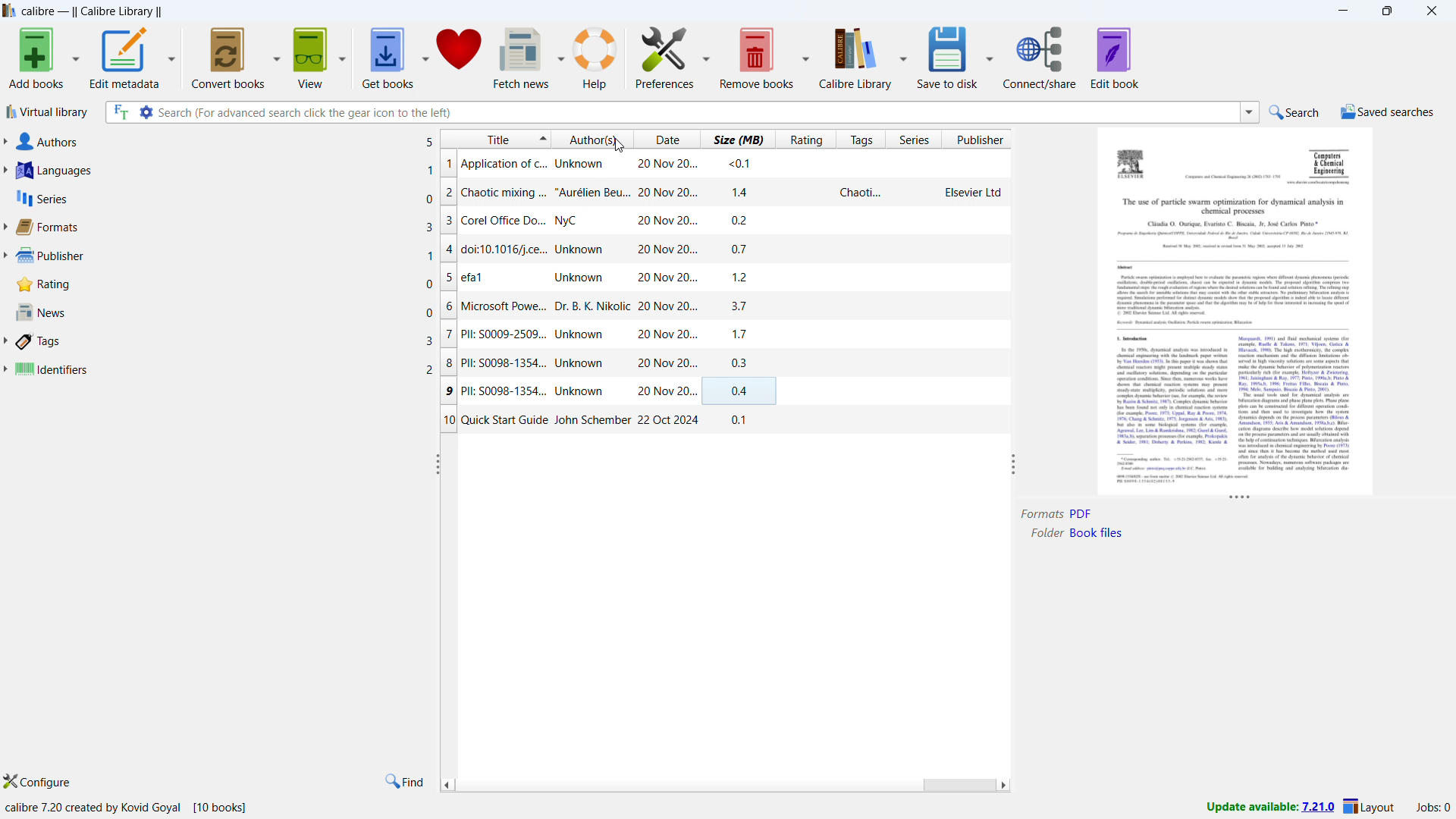 The image size is (1456, 819). Describe the element at coordinates (1045, 532) in the screenshot. I see `Folder` at that location.